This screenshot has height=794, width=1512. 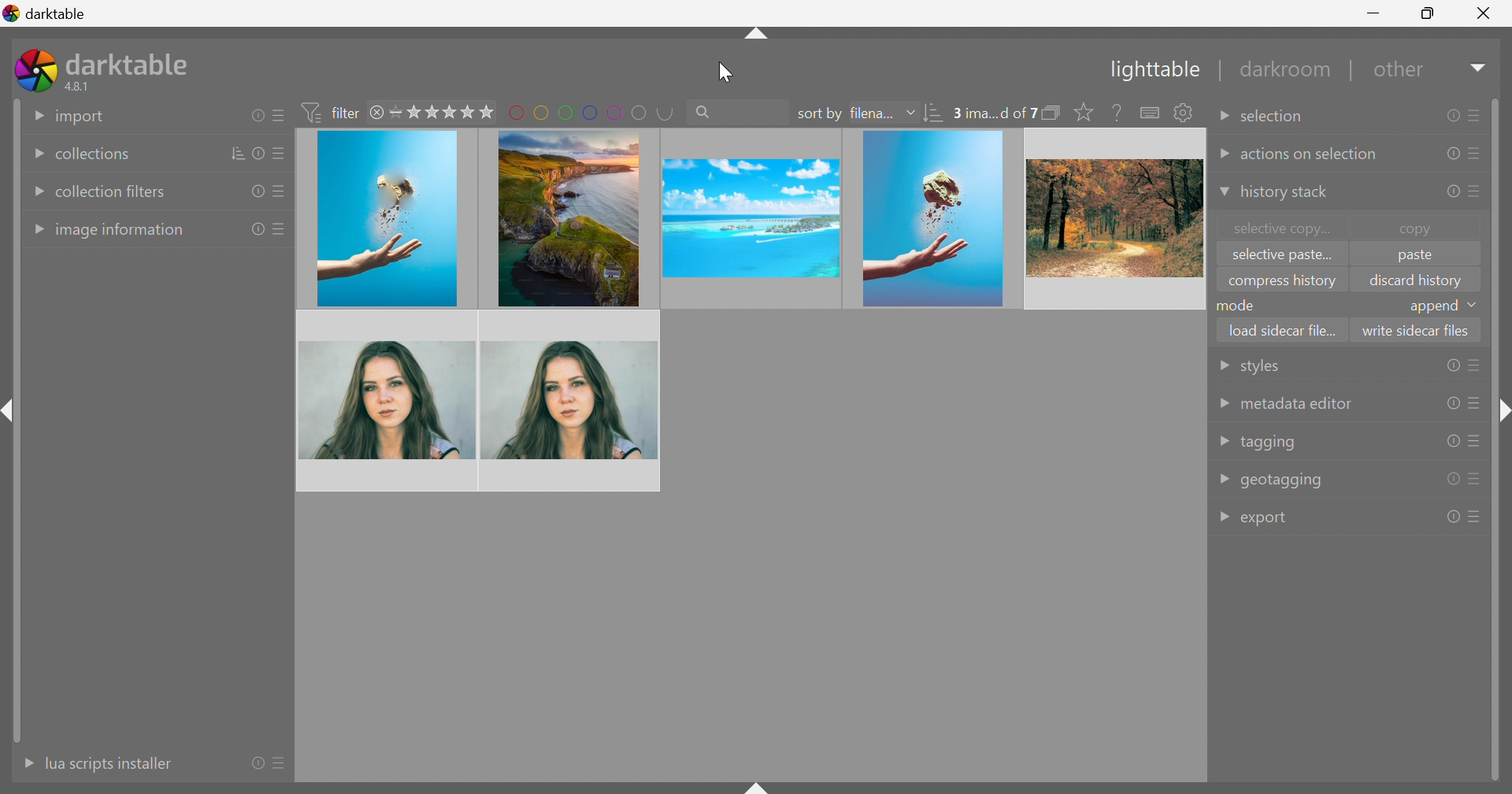 I want to click on append, so click(x=1432, y=307).